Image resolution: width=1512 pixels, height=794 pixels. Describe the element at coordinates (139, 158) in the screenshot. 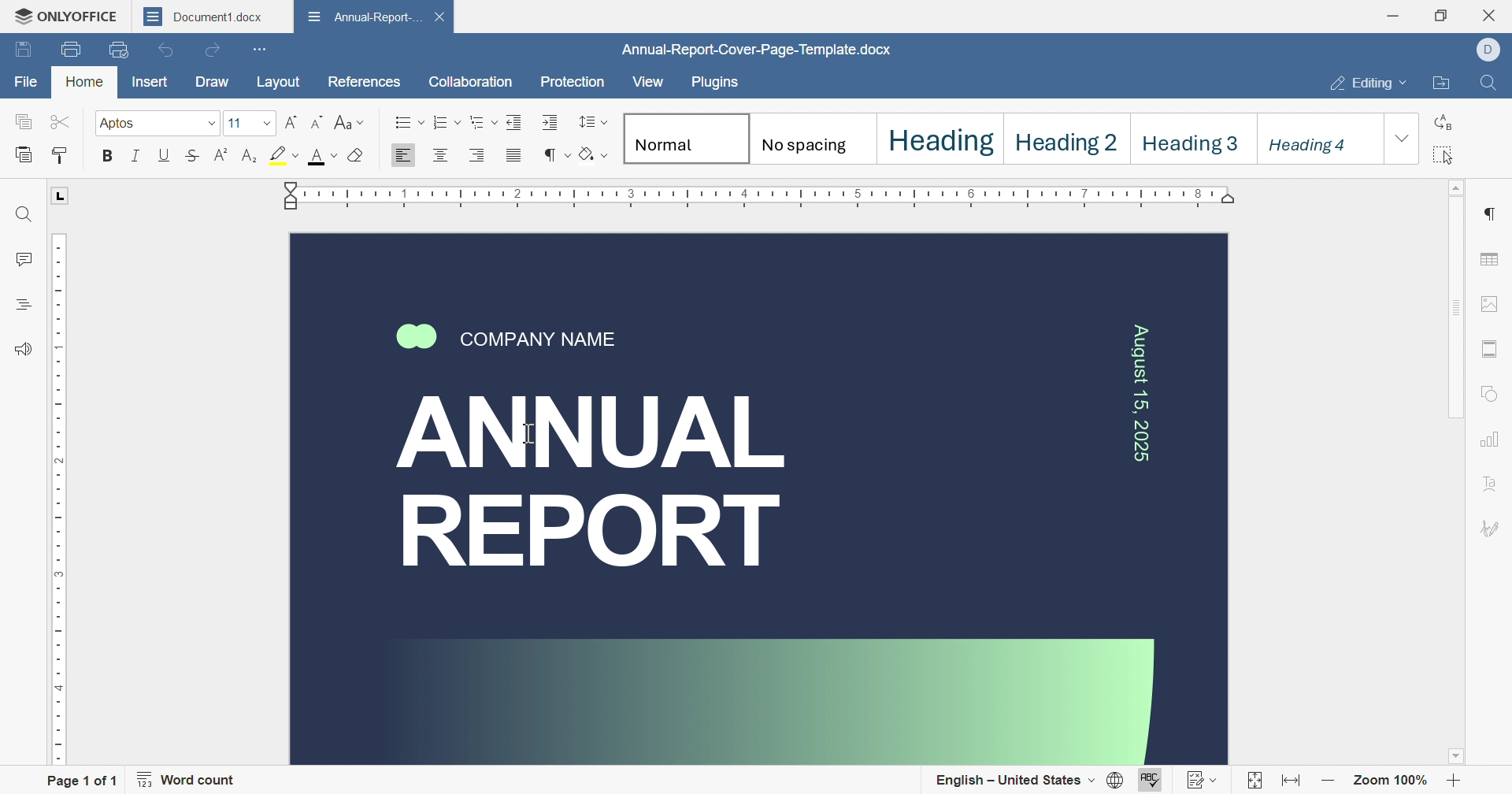

I see `italic` at that location.